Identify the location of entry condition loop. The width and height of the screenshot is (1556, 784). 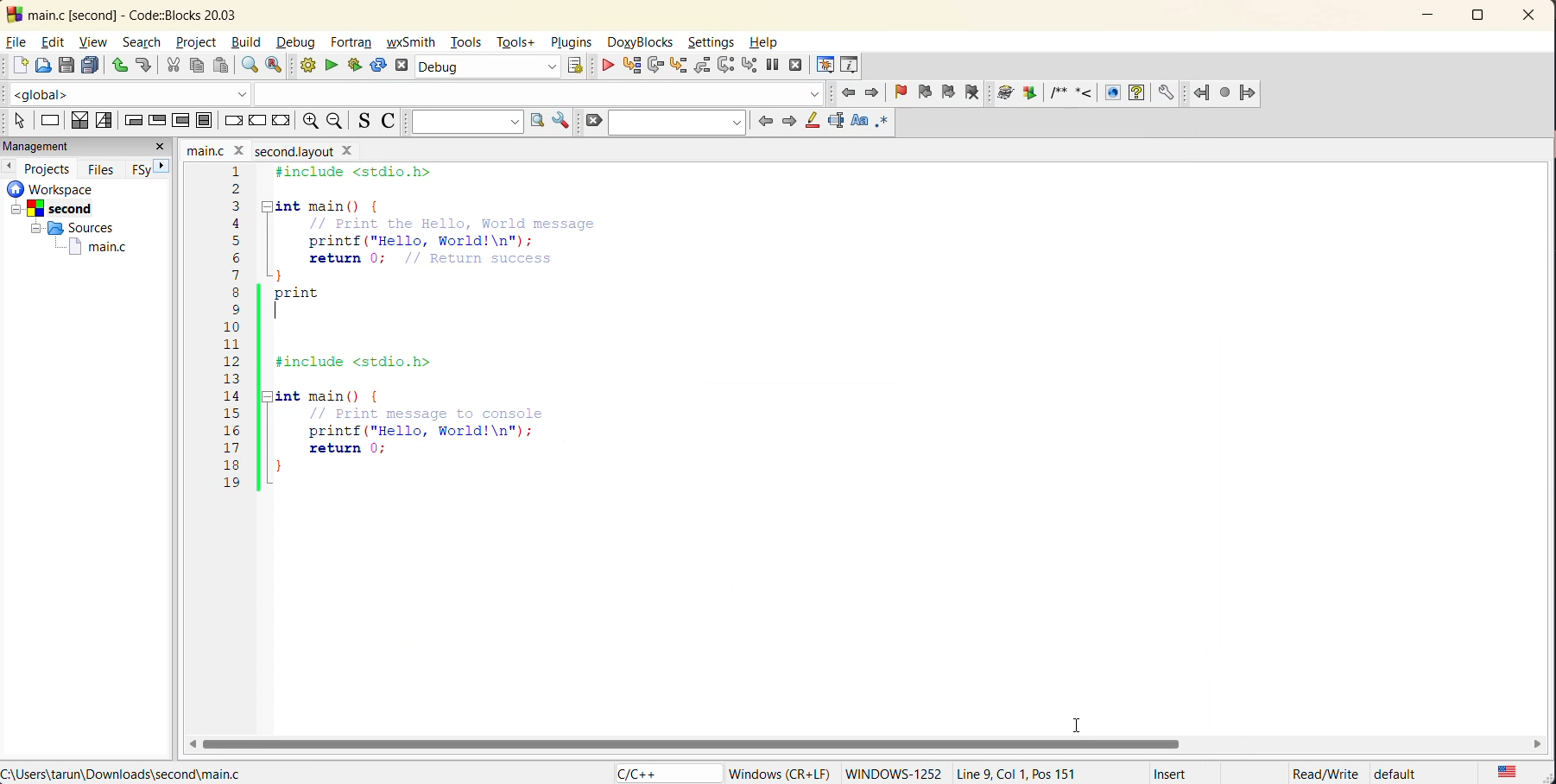
(132, 121).